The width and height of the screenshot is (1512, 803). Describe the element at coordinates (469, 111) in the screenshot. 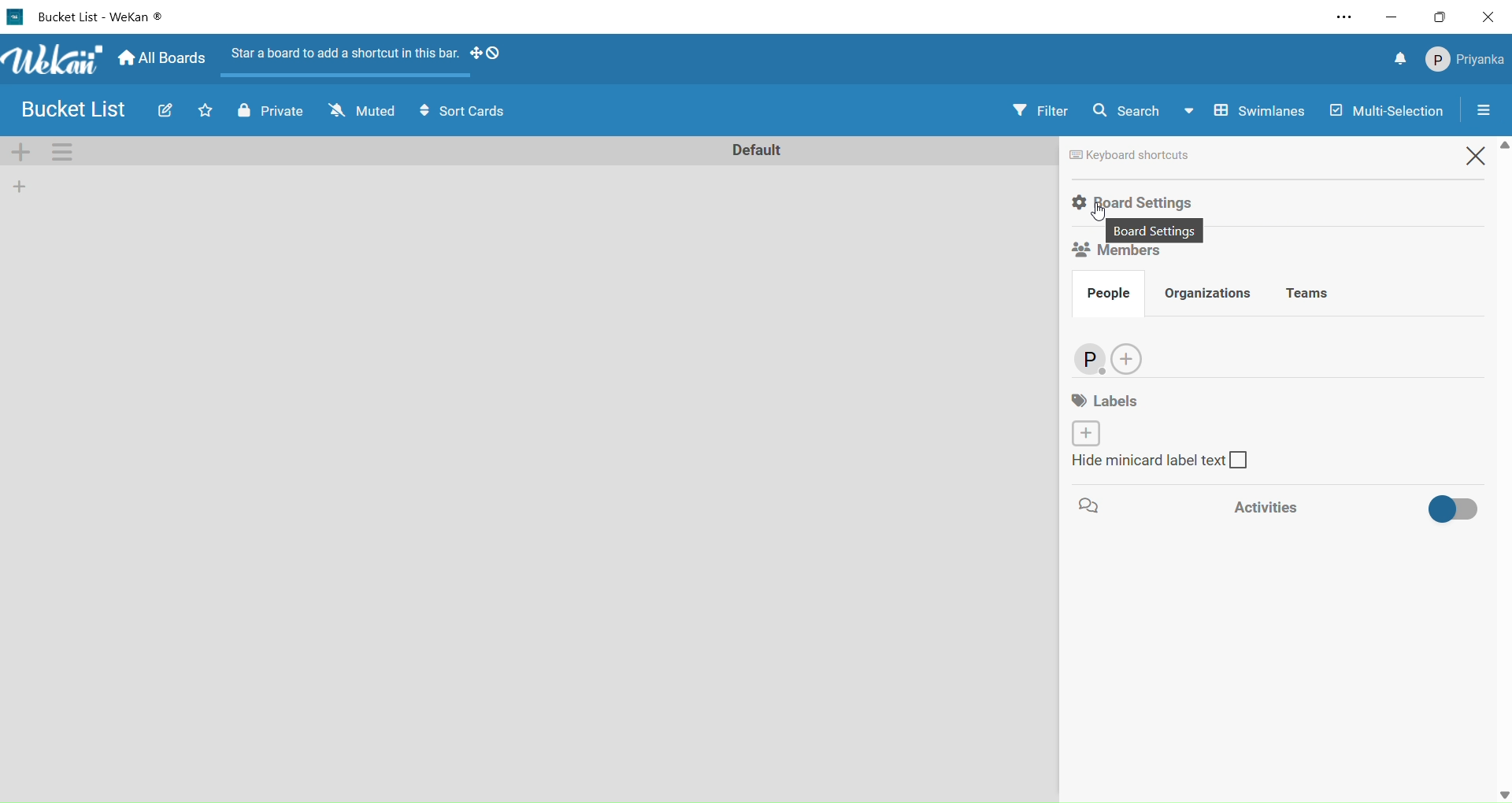

I see `sort cards` at that location.